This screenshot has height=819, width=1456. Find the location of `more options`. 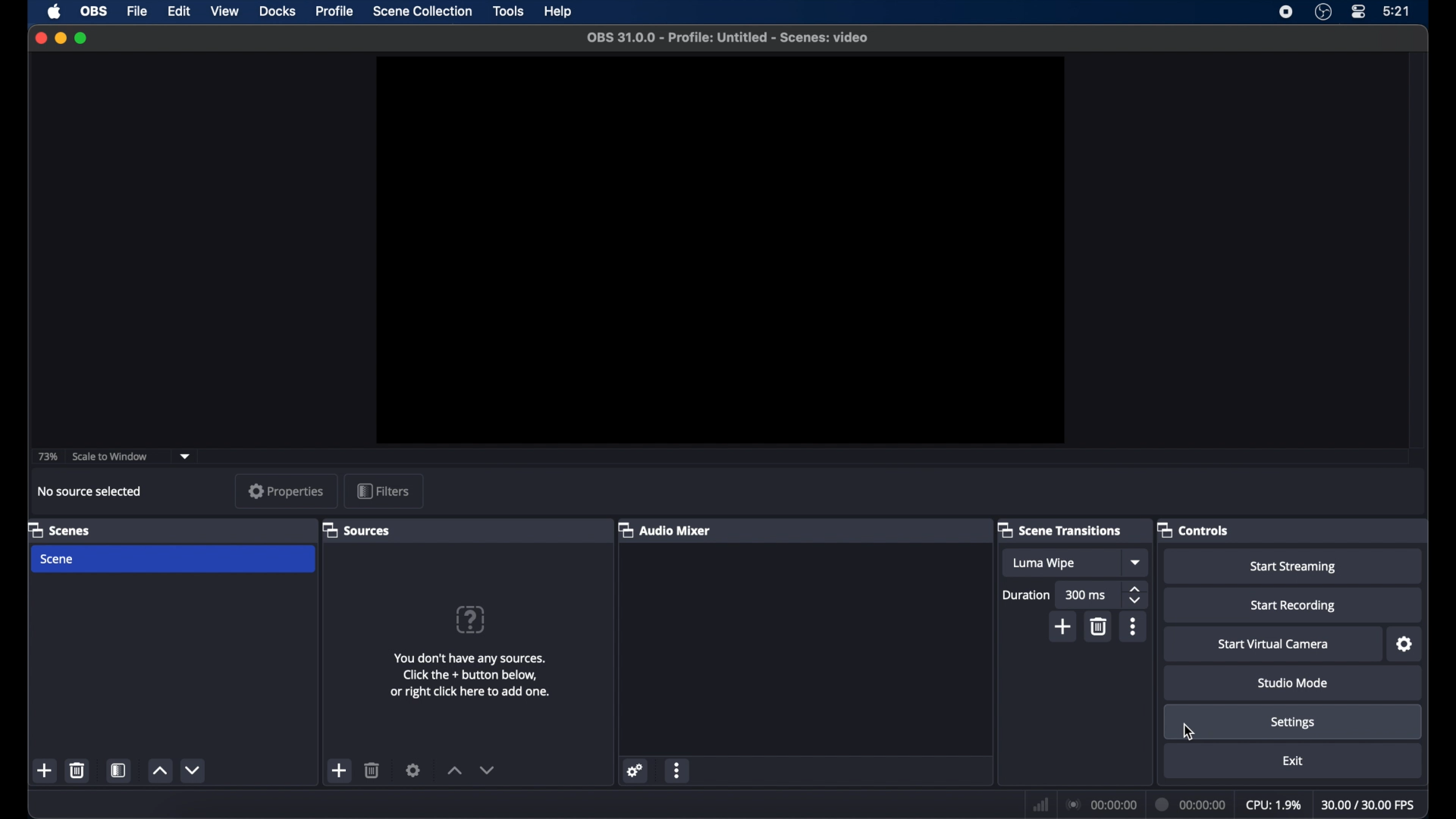

more options is located at coordinates (1133, 627).